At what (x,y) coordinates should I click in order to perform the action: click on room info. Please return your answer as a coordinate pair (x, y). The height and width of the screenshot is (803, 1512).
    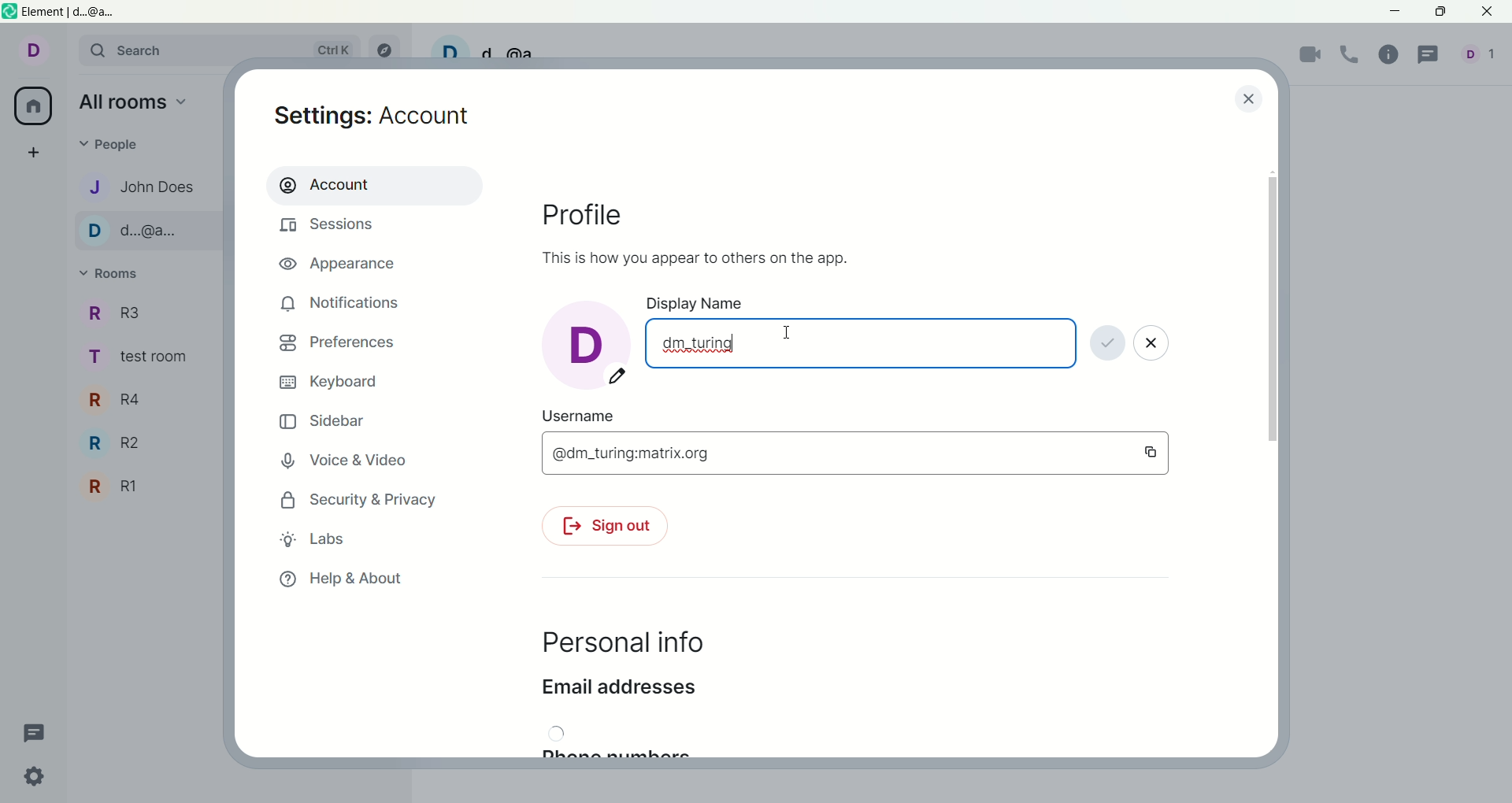
    Looking at the image, I should click on (1393, 54).